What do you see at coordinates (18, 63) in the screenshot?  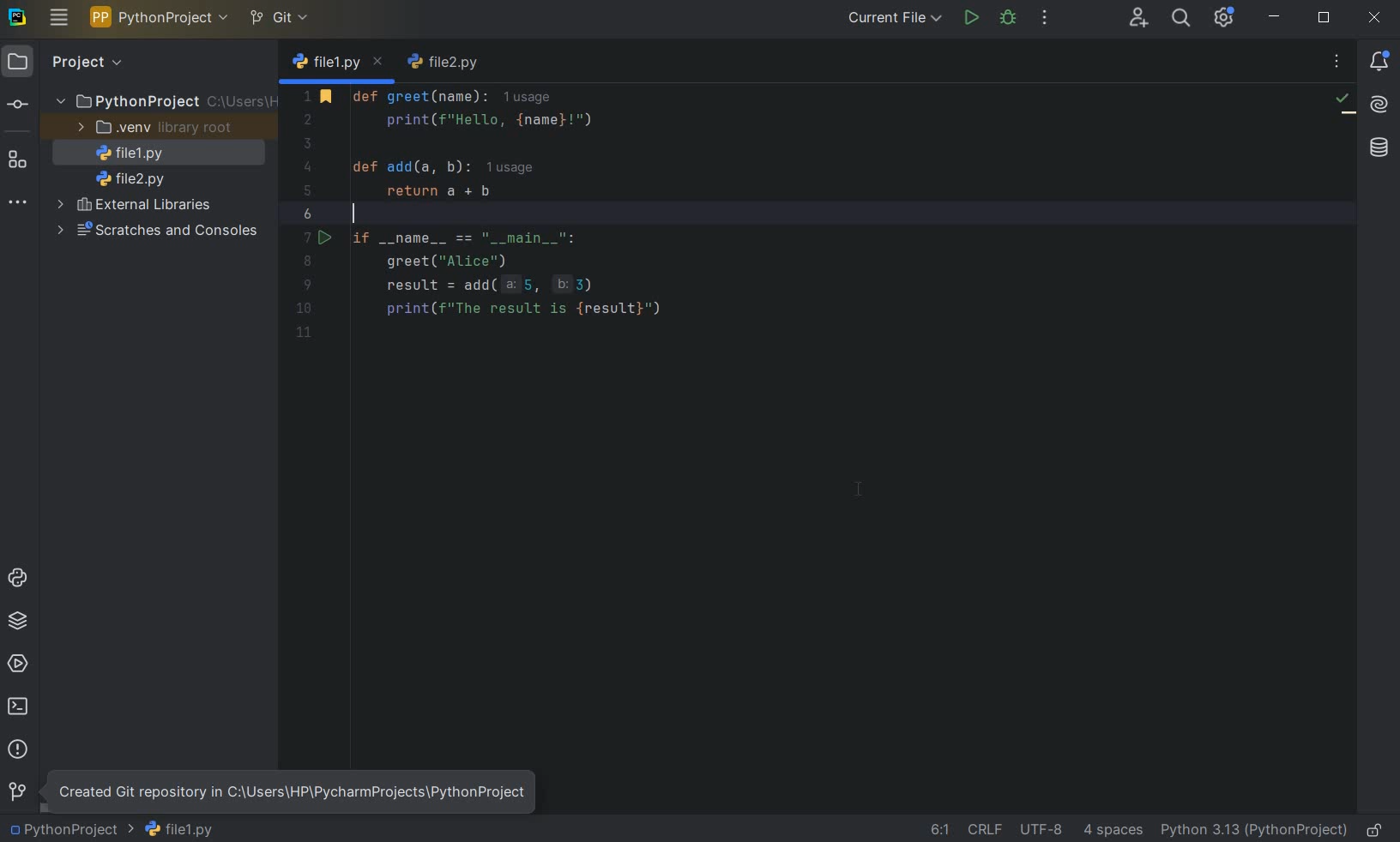 I see `Project icon` at bounding box center [18, 63].